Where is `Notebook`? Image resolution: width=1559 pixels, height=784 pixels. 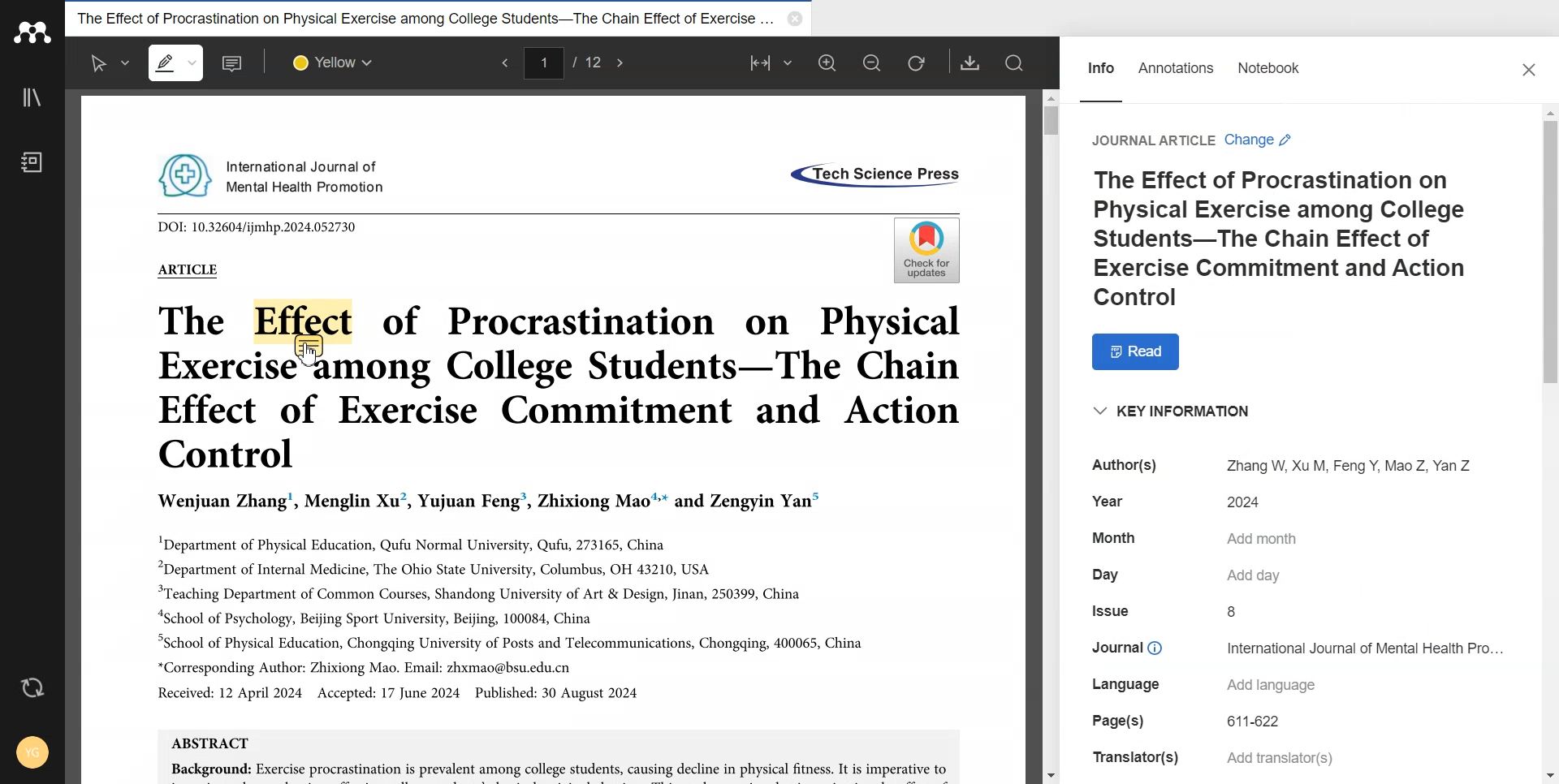
Notebook is located at coordinates (1272, 71).